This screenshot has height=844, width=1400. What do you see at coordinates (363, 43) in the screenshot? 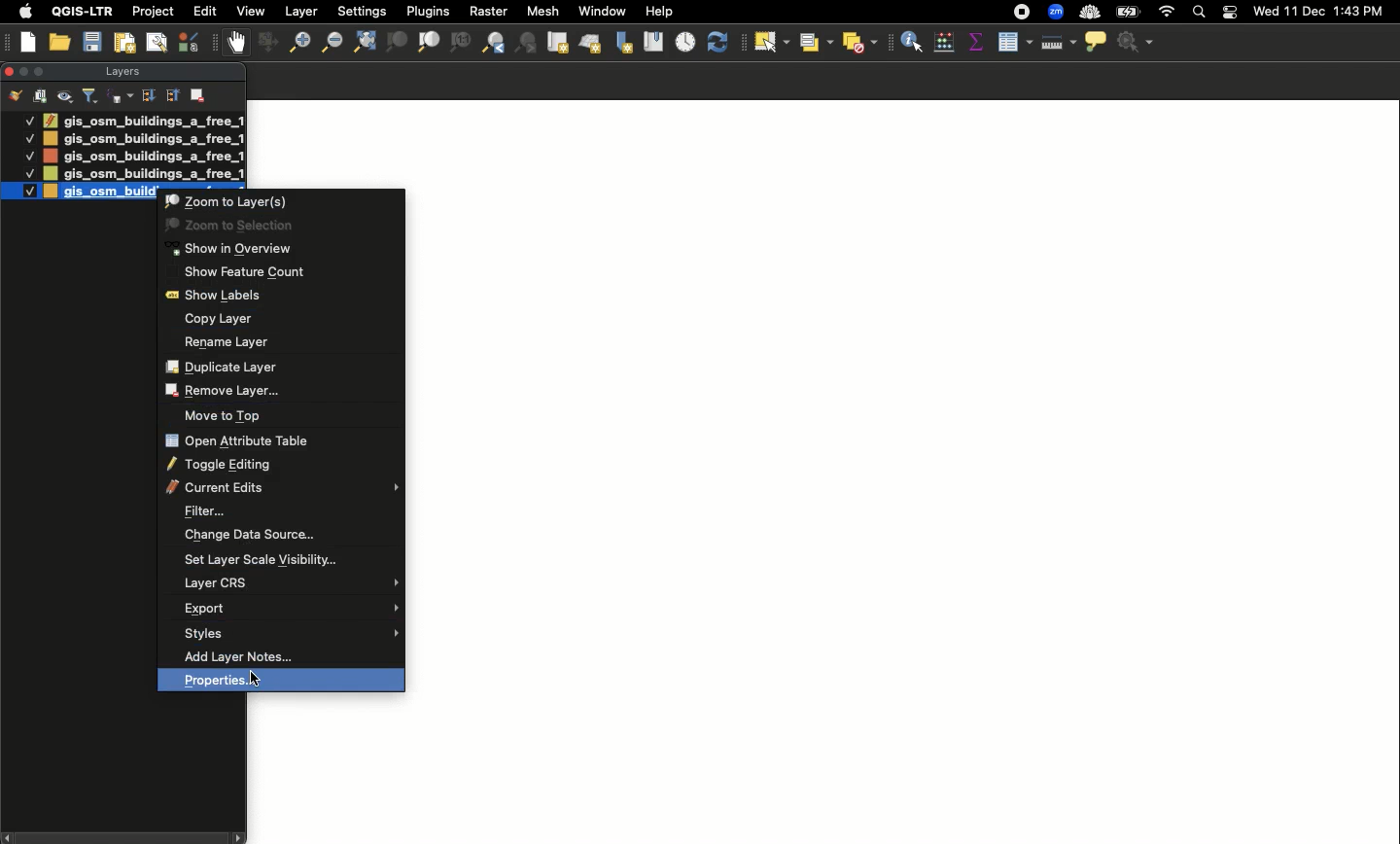
I see `Zoom full` at bounding box center [363, 43].